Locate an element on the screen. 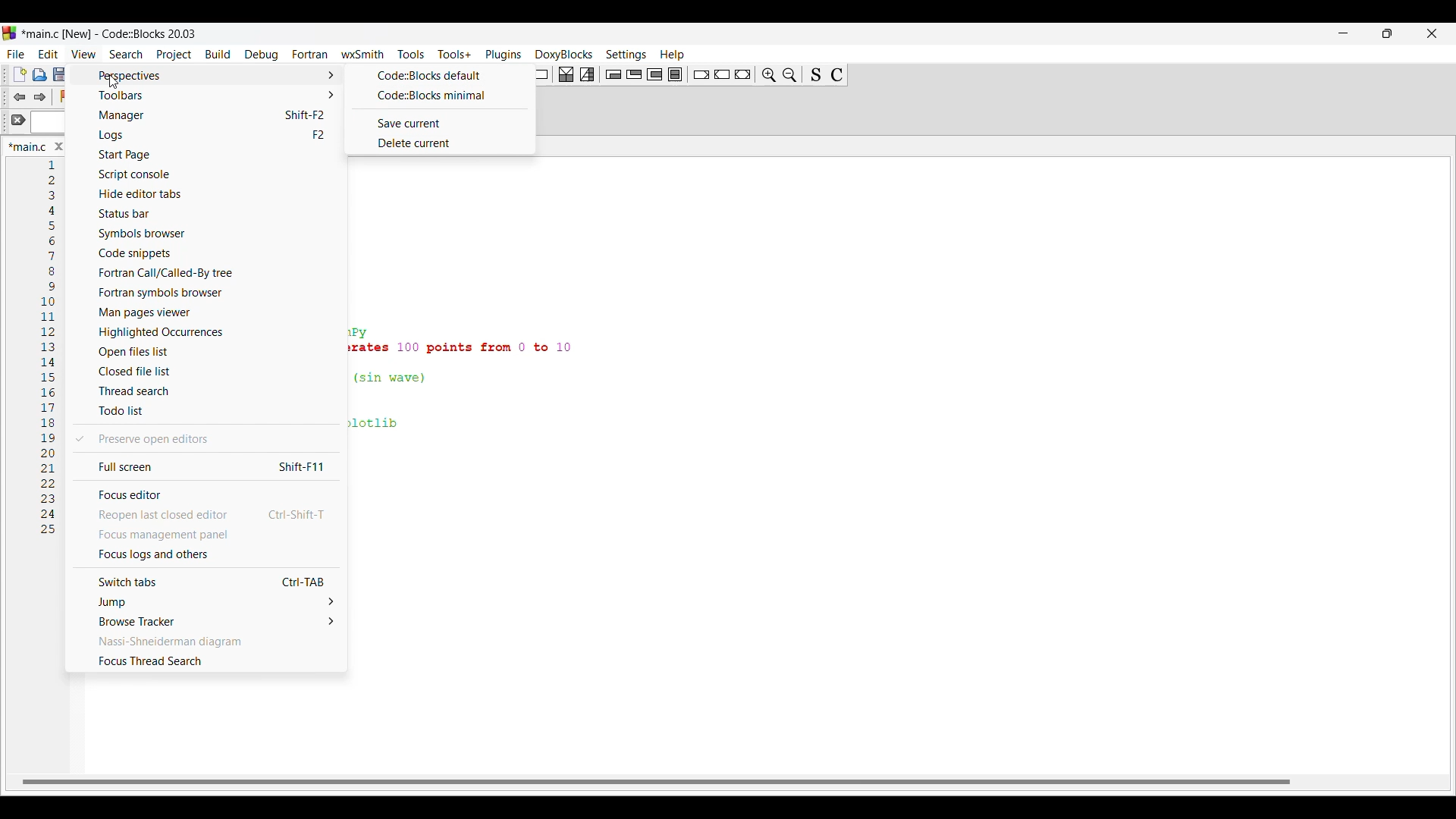 The image size is (1456, 819). Selection is located at coordinates (587, 74).